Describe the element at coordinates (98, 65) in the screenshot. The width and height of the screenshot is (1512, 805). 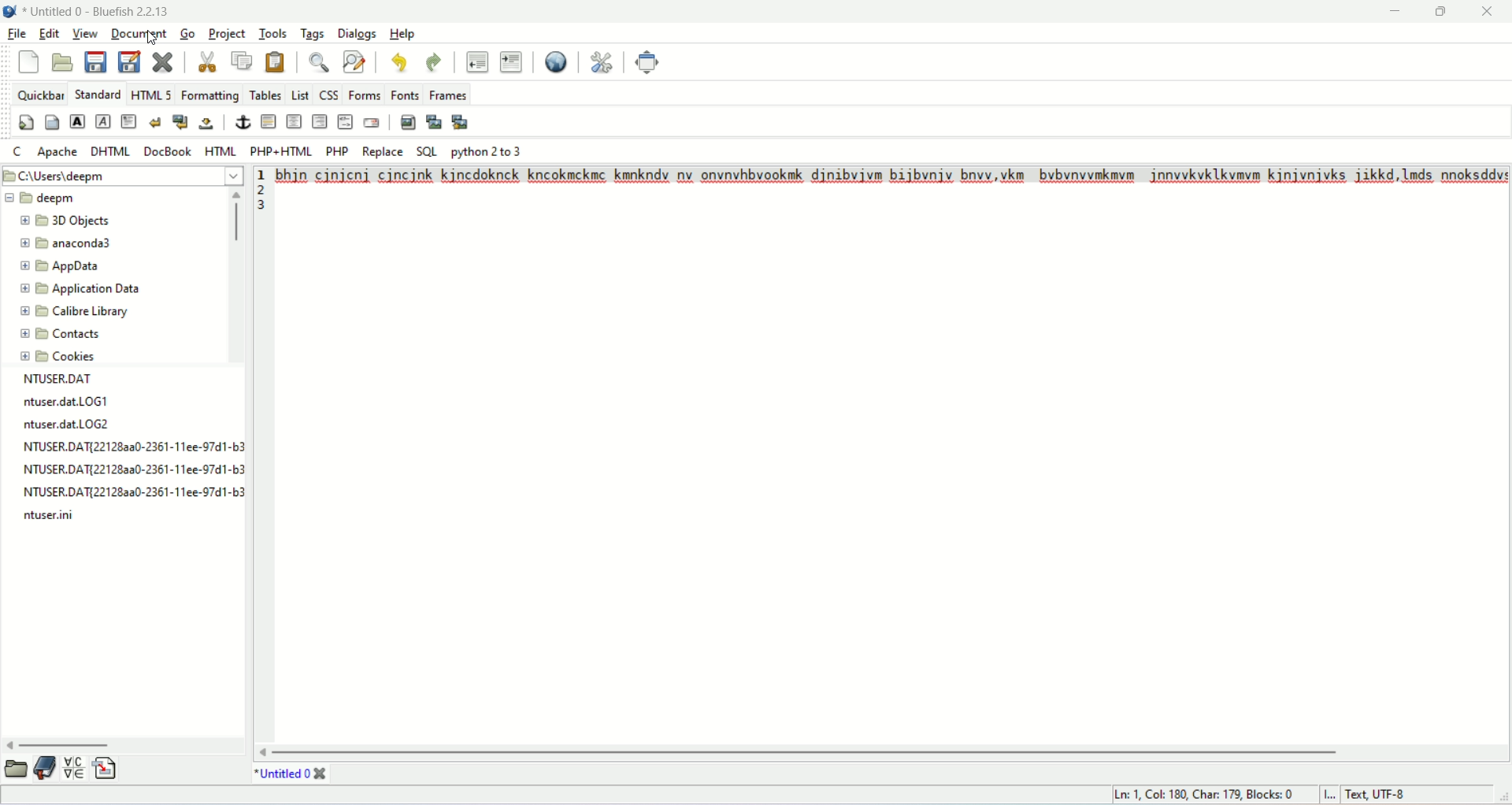
I see `save current file` at that location.